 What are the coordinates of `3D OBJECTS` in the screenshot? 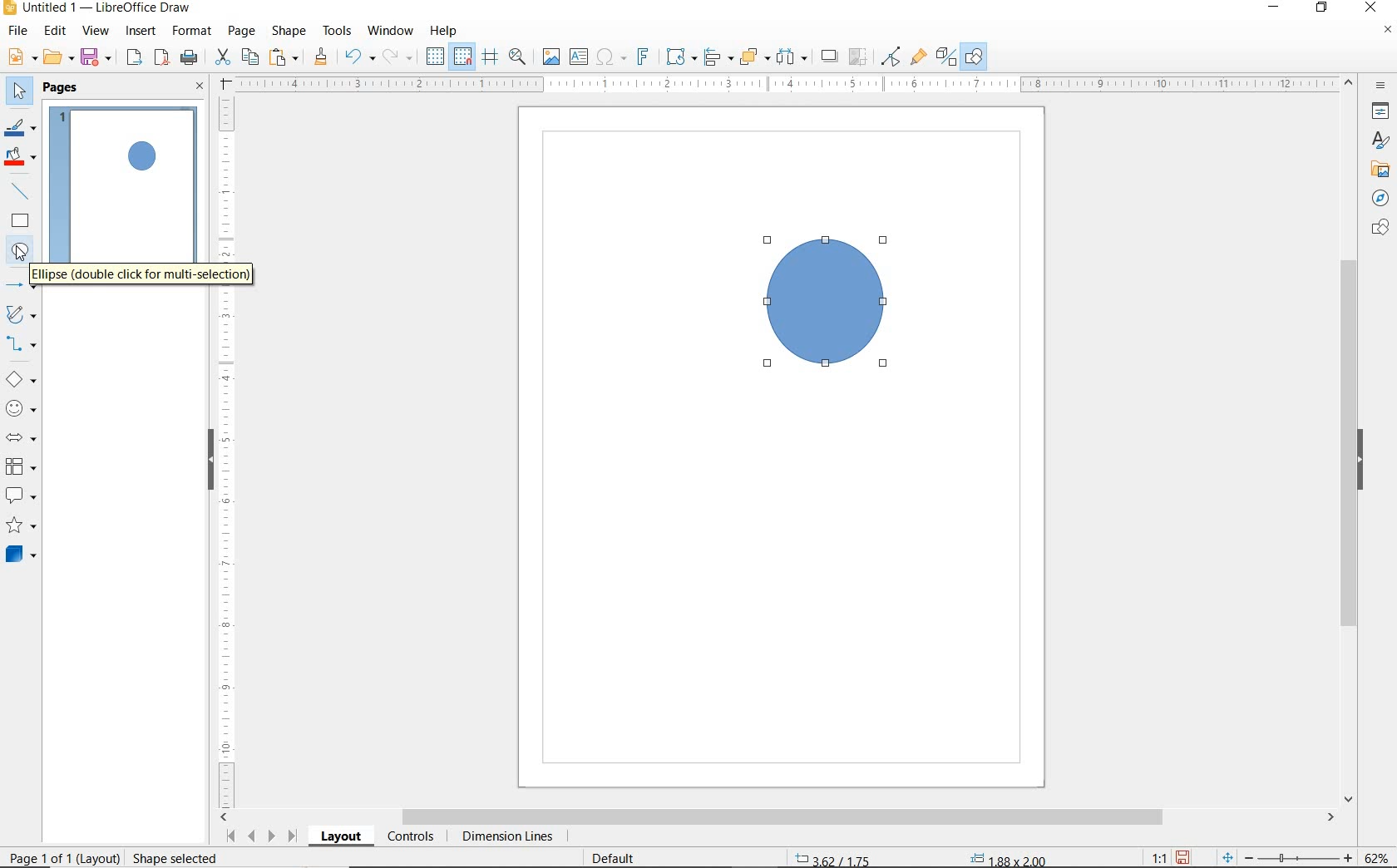 It's located at (19, 556).